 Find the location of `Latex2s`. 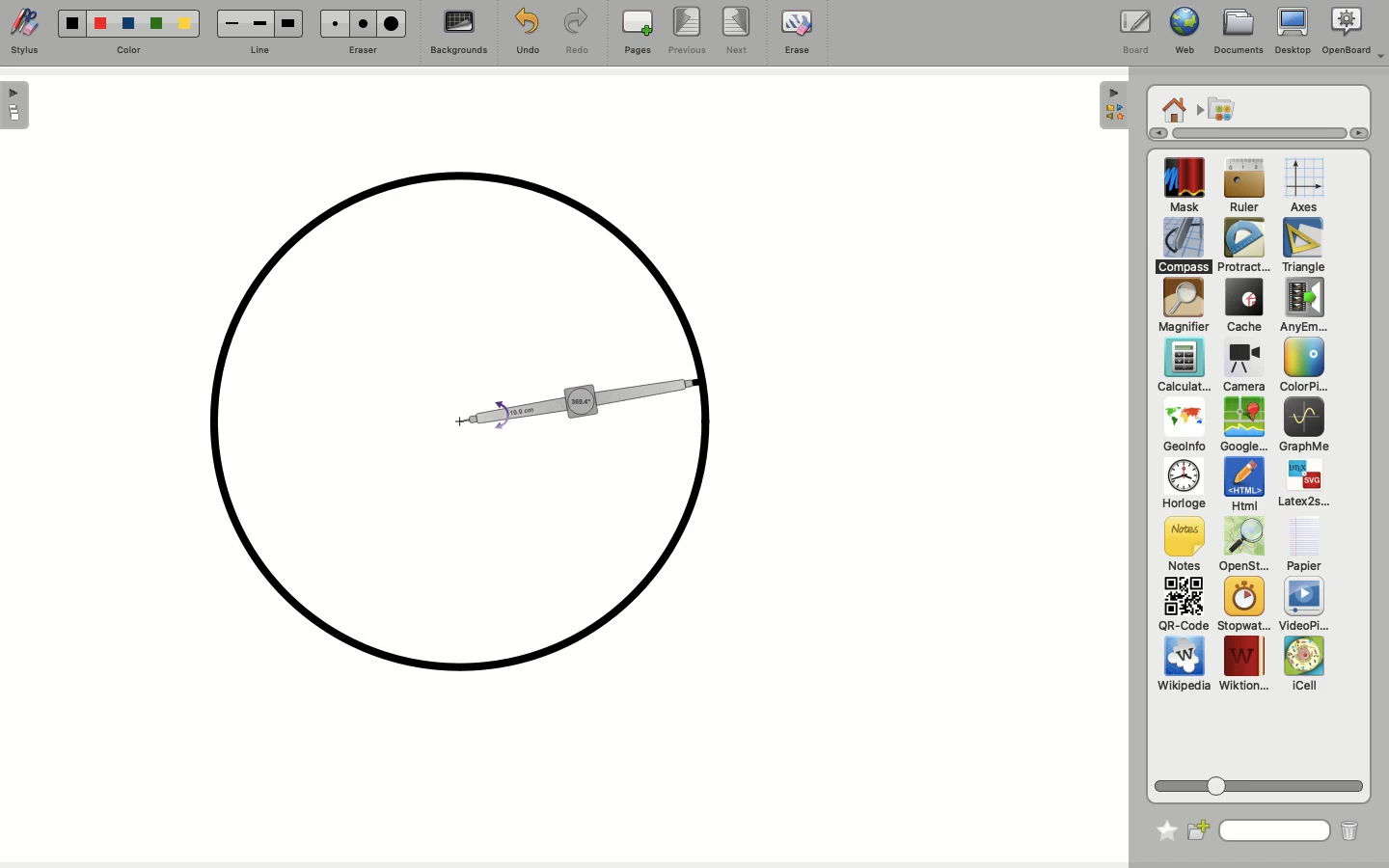

Latex2s is located at coordinates (1304, 484).